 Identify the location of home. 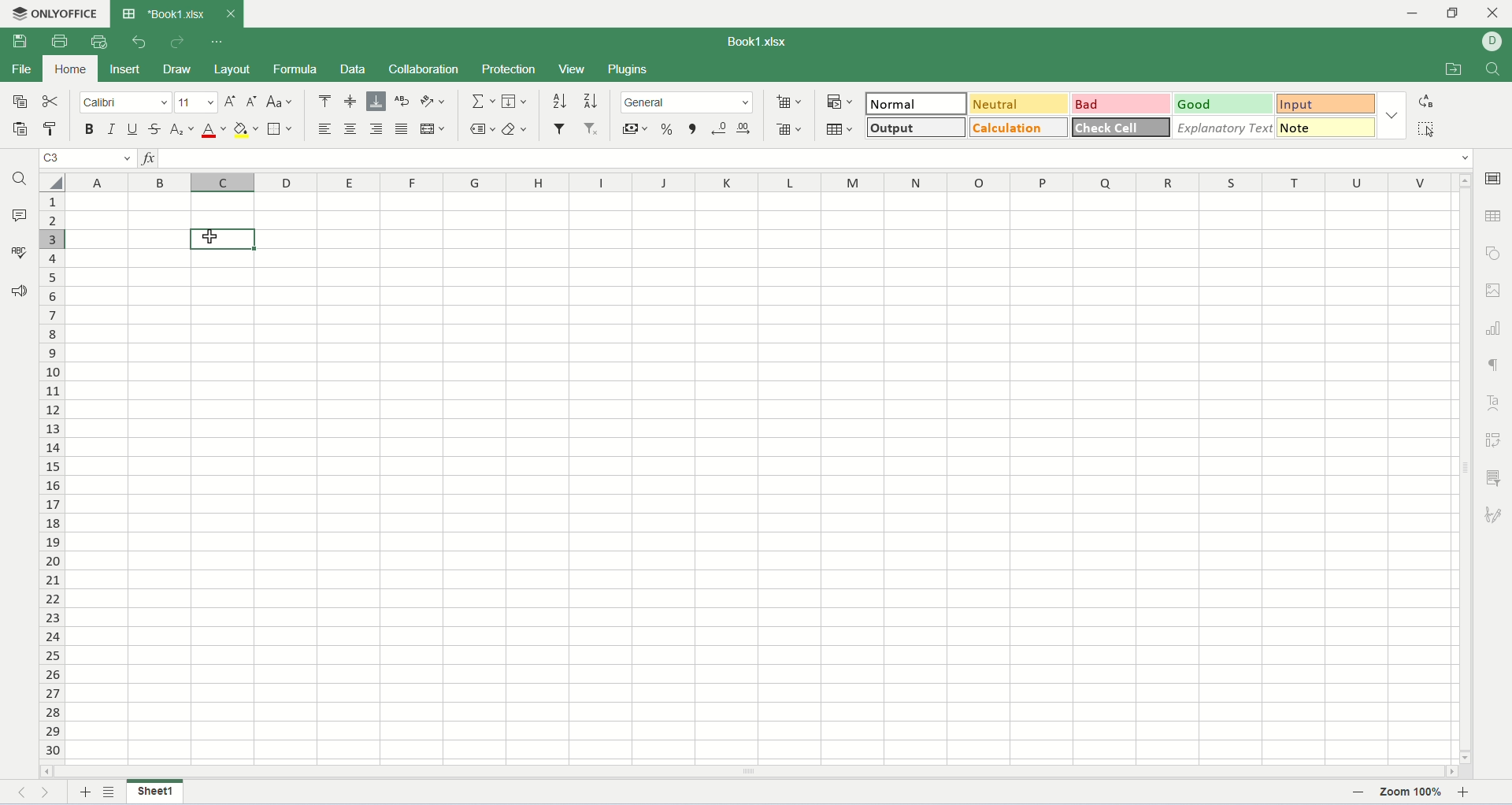
(68, 69).